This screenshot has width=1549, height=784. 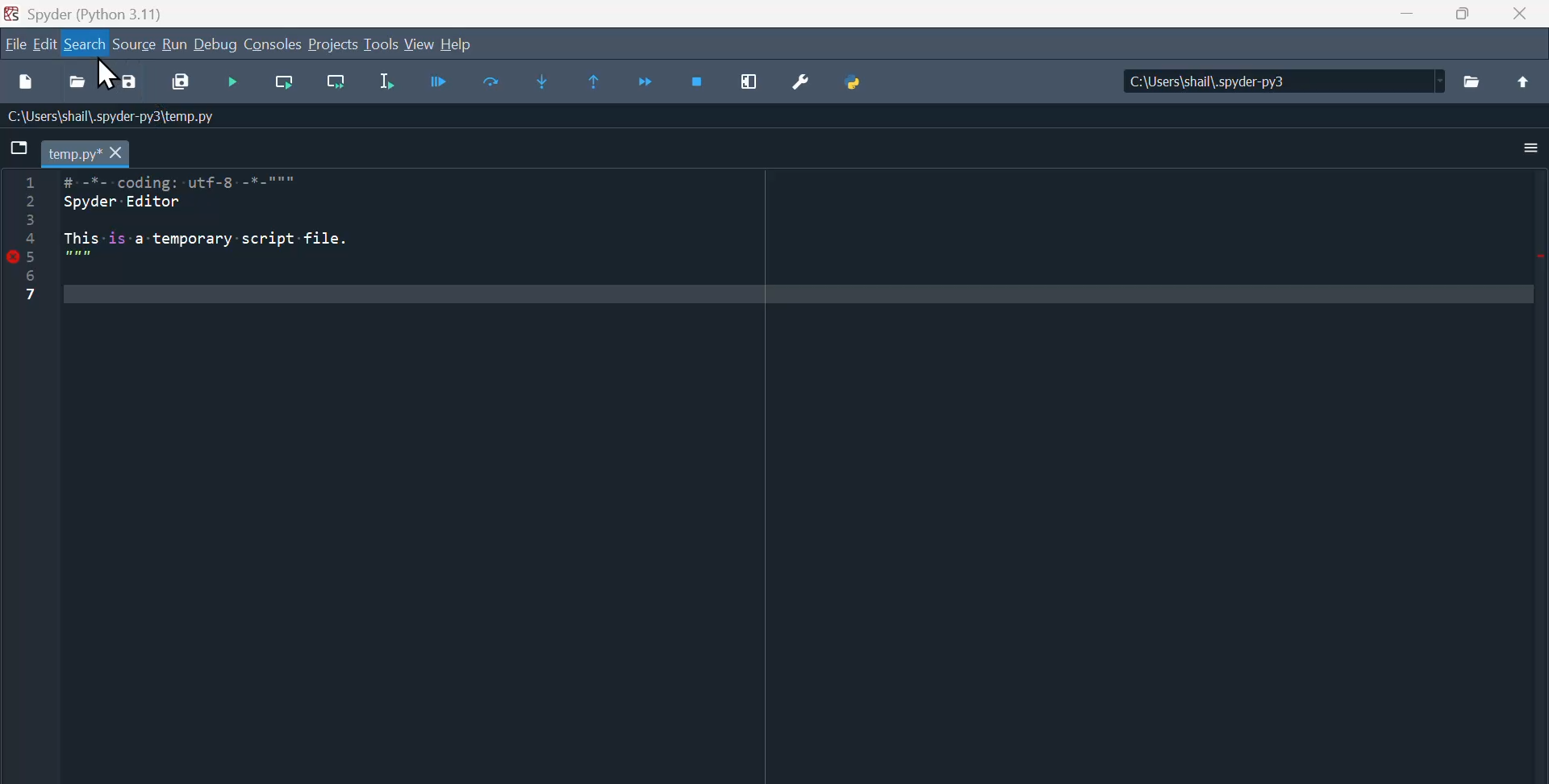 I want to click on # -*- coding: utf-8 -*- """ Spyder Editor  This is a temporary script file. """, so click(x=799, y=477).